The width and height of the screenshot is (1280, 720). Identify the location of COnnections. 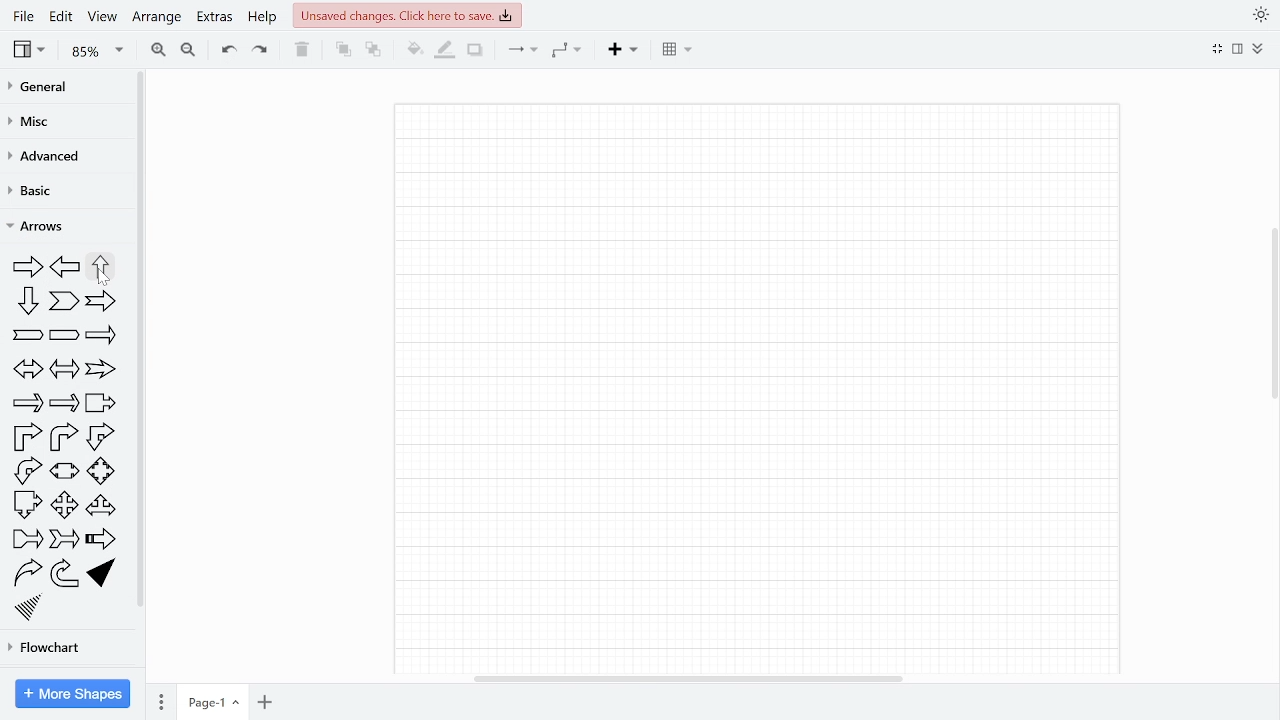
(523, 50).